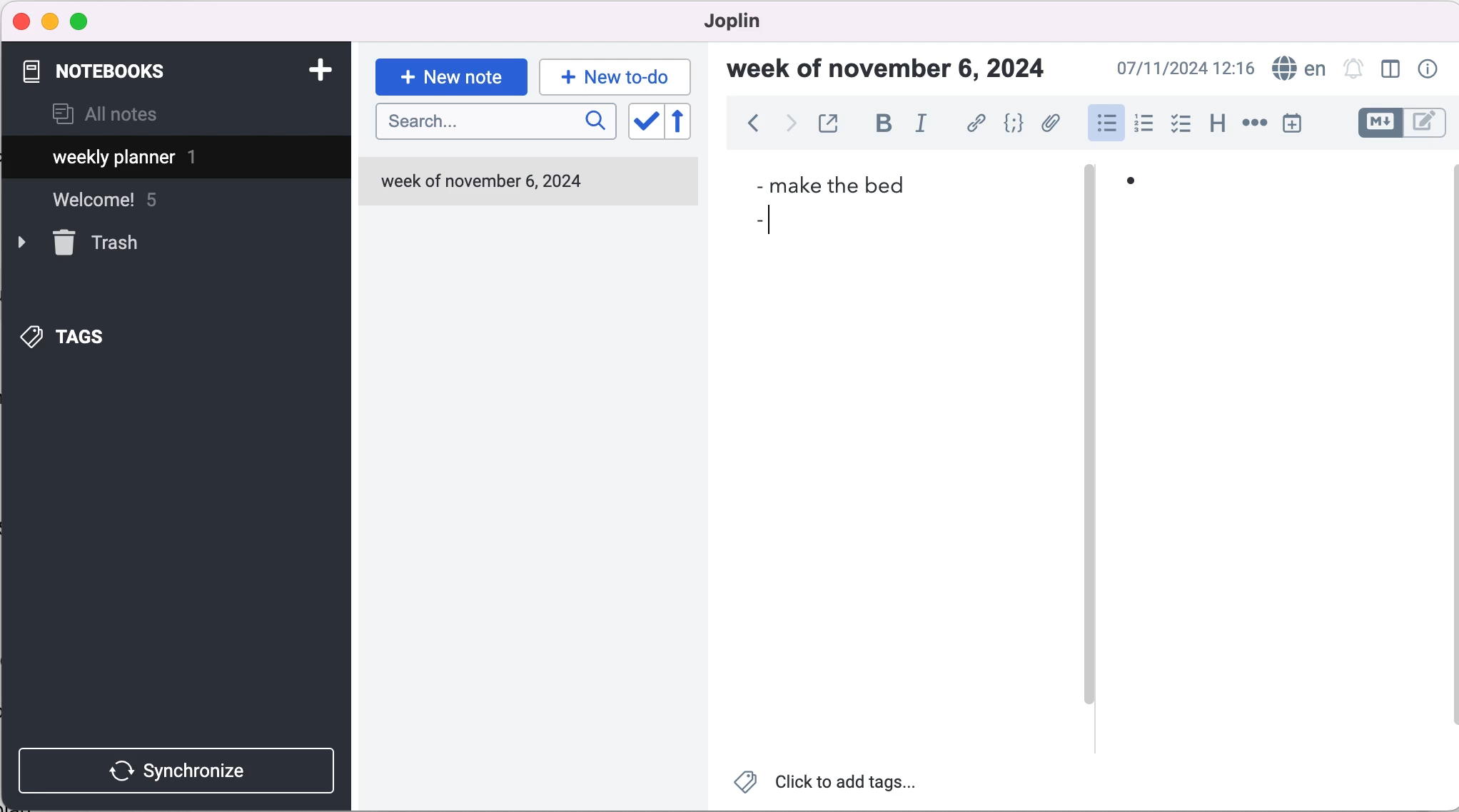 The image size is (1459, 812). What do you see at coordinates (789, 126) in the screenshot?
I see `forward` at bounding box center [789, 126].